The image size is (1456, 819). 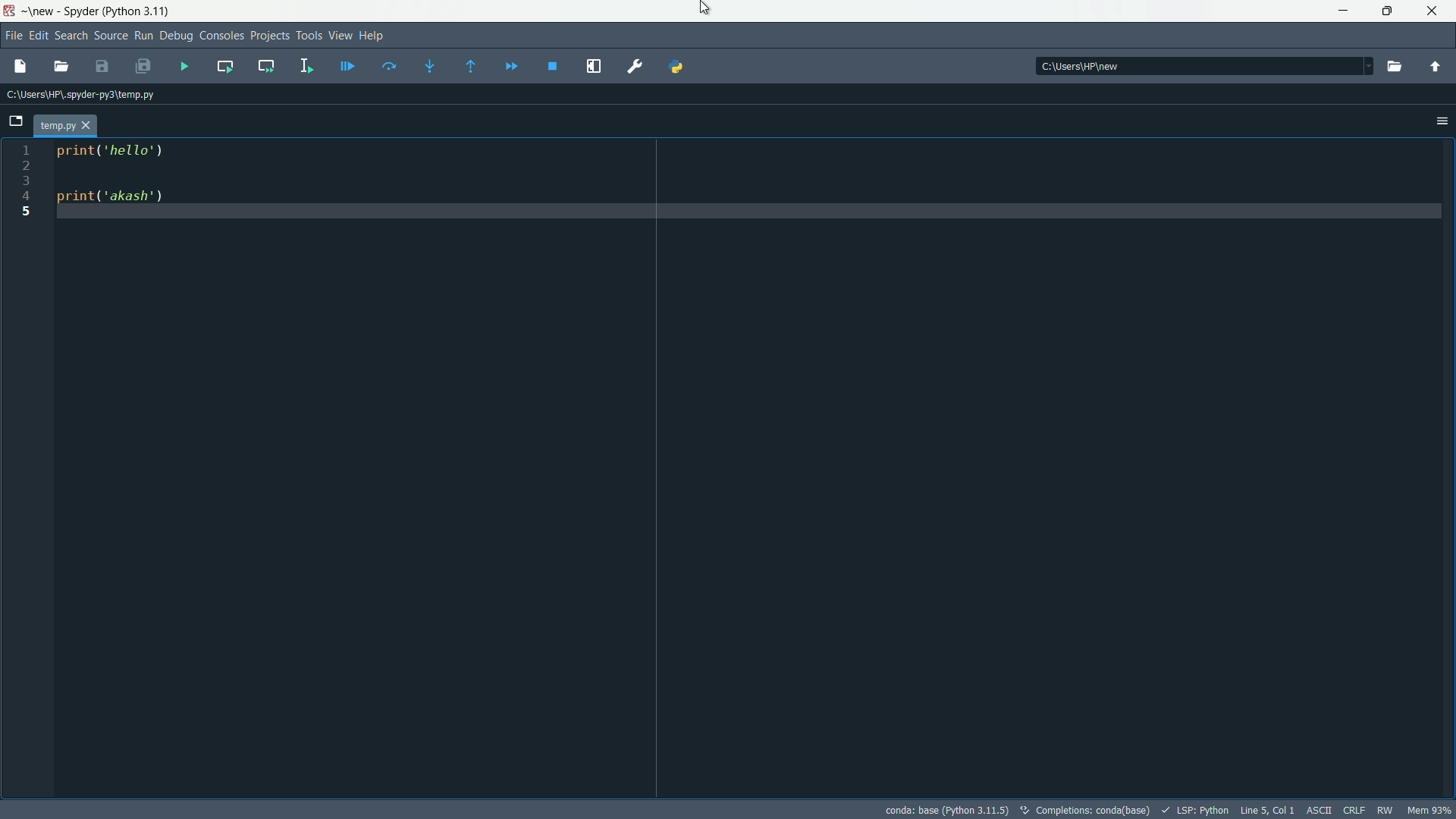 I want to click on minimize, so click(x=1344, y=13).